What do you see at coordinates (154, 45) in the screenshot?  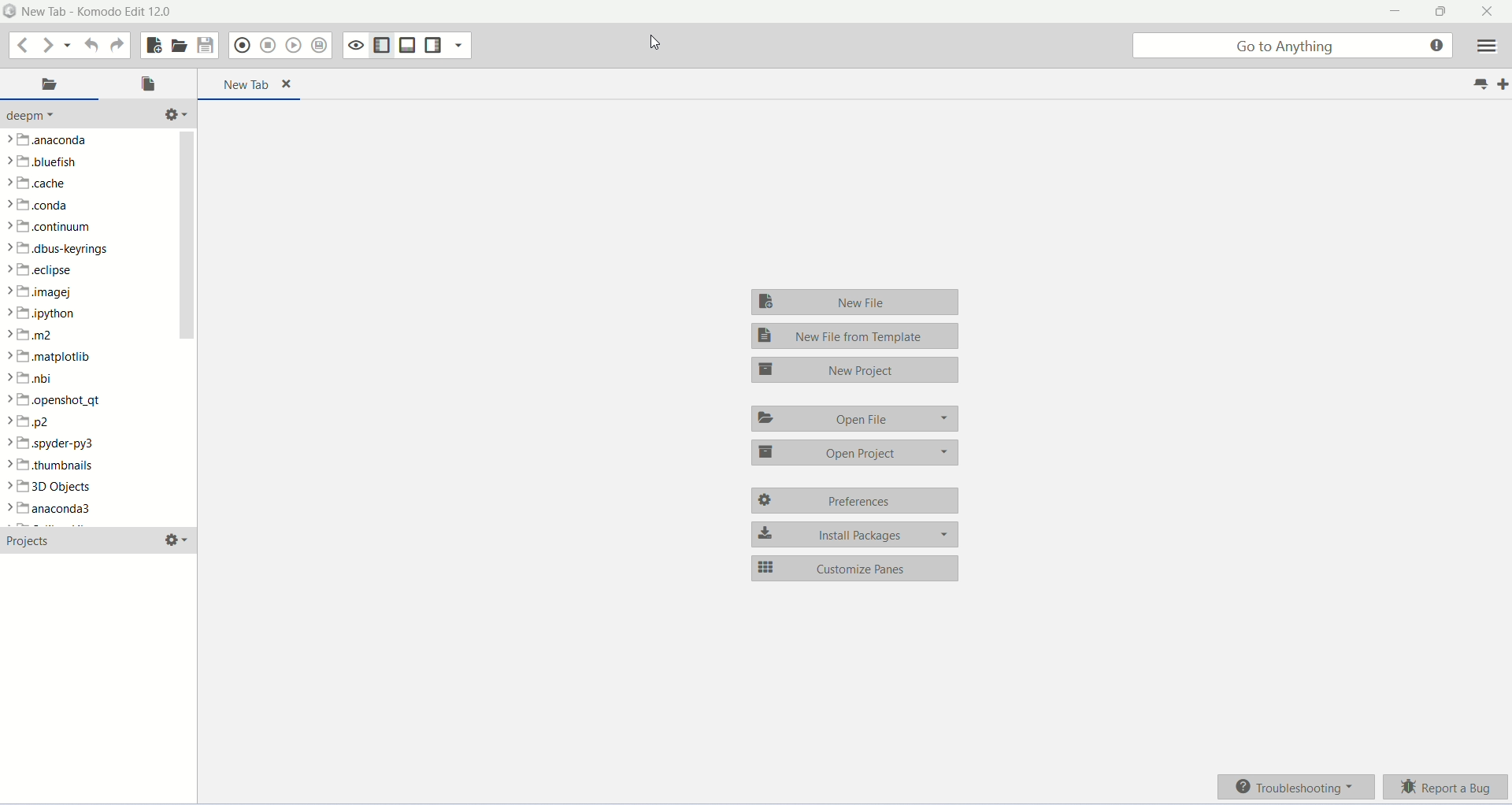 I see `new` at bounding box center [154, 45].